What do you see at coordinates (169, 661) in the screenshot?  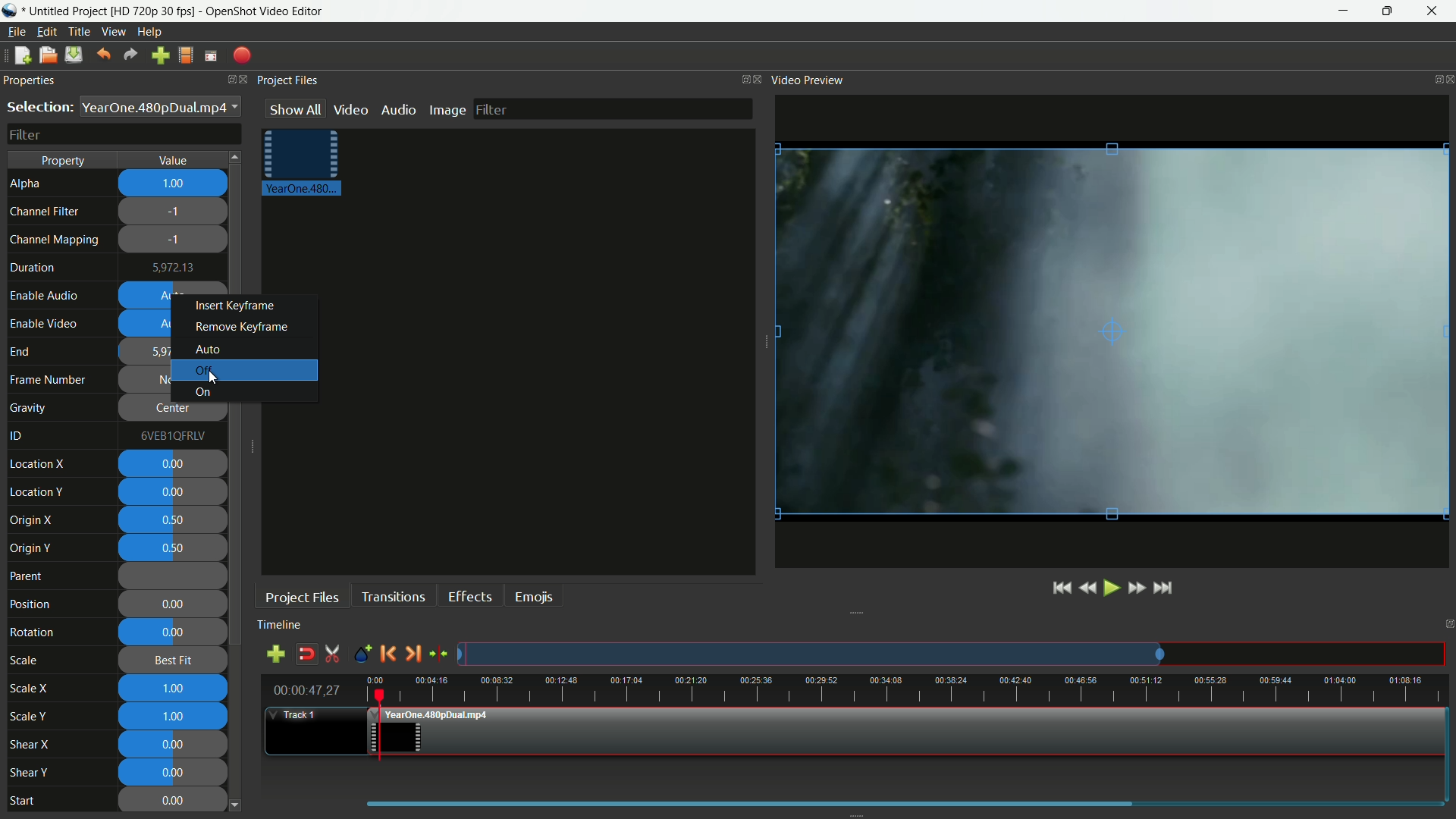 I see `best fit` at bounding box center [169, 661].